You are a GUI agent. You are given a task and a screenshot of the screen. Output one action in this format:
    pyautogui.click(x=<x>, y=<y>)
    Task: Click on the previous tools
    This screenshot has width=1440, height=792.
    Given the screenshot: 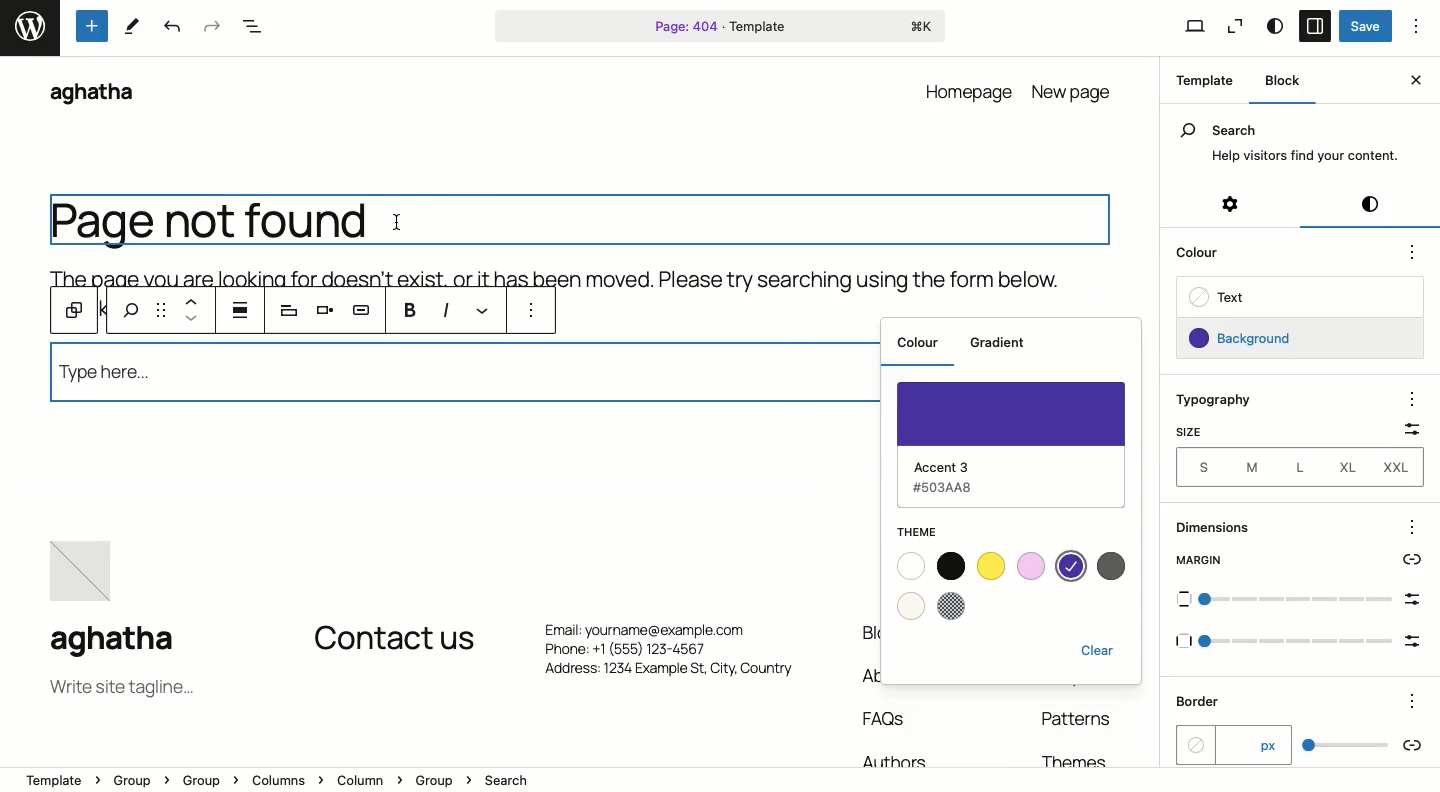 What is the action you would take?
    pyautogui.click(x=107, y=312)
    